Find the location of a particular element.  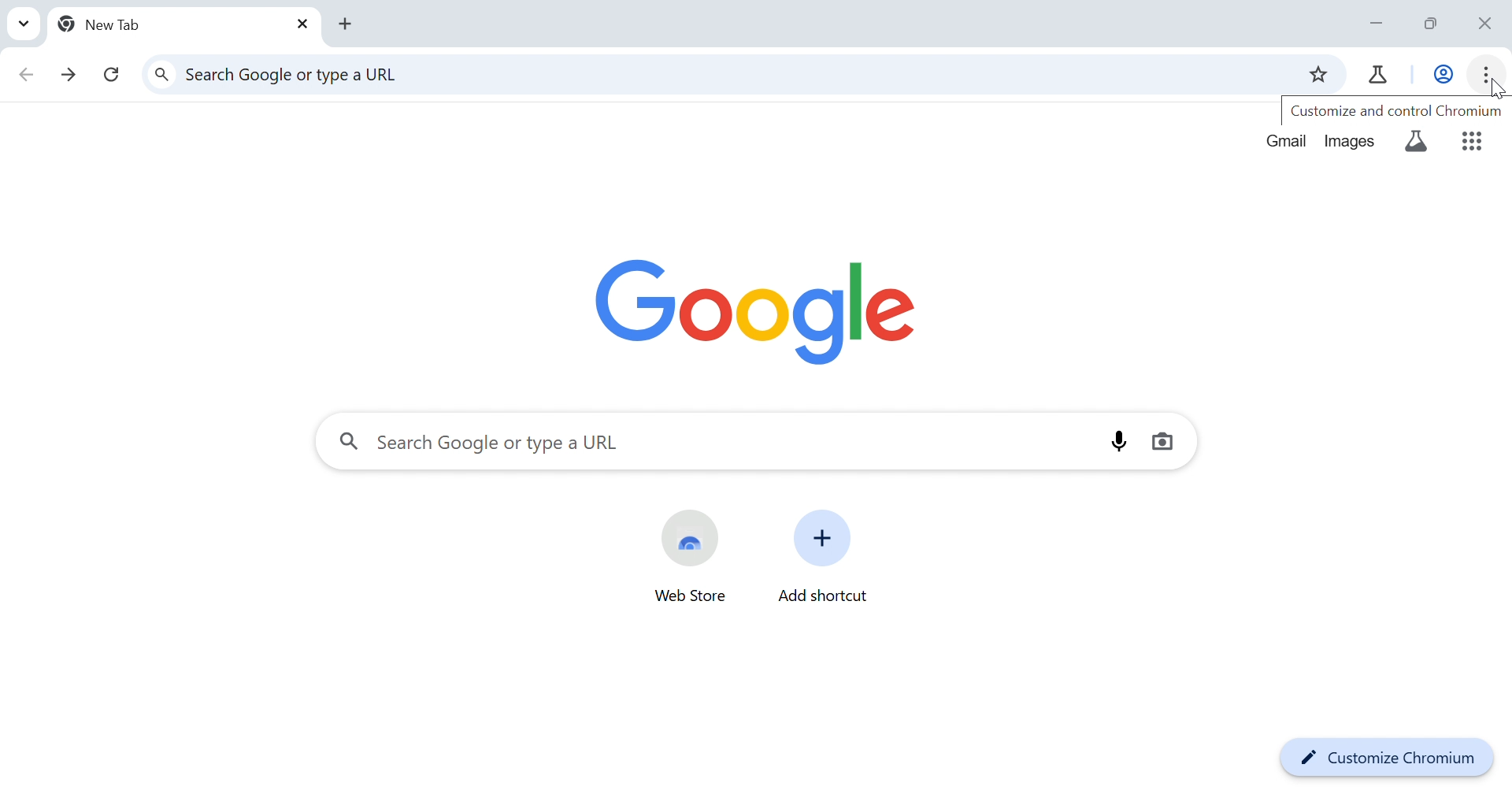

Search Google or type a URL is located at coordinates (504, 444).